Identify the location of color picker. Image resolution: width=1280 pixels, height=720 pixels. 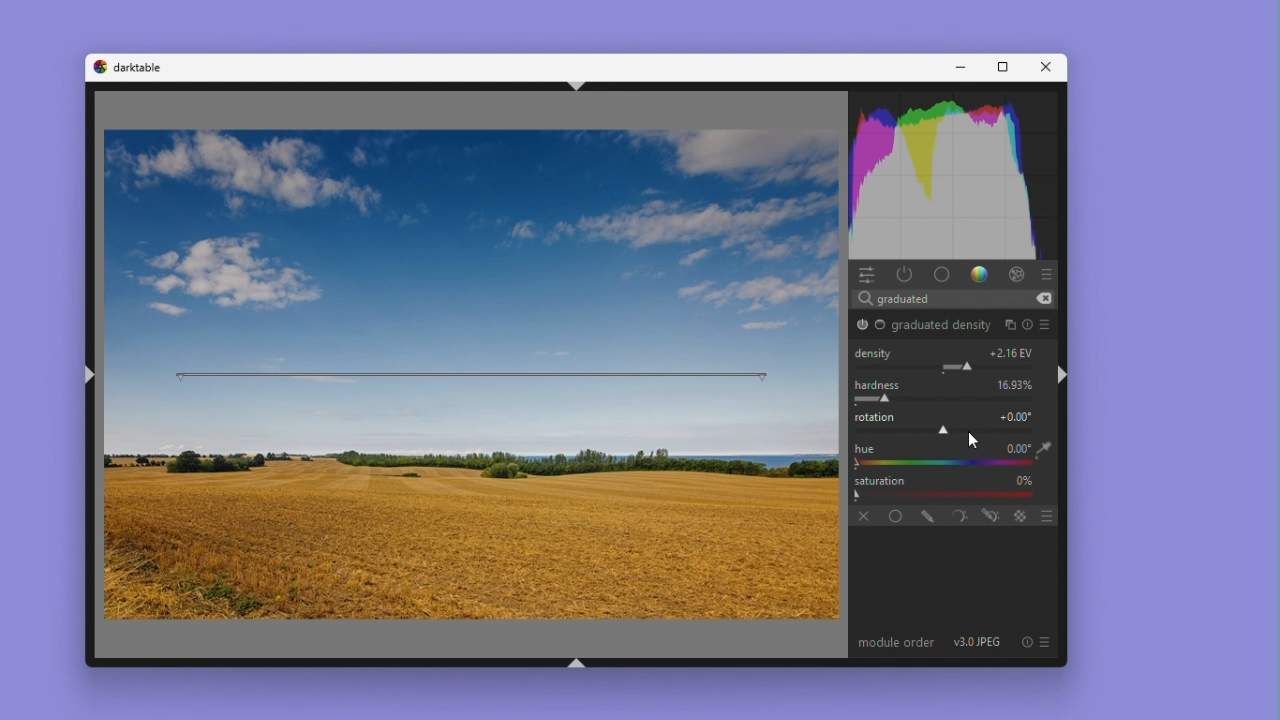
(938, 464).